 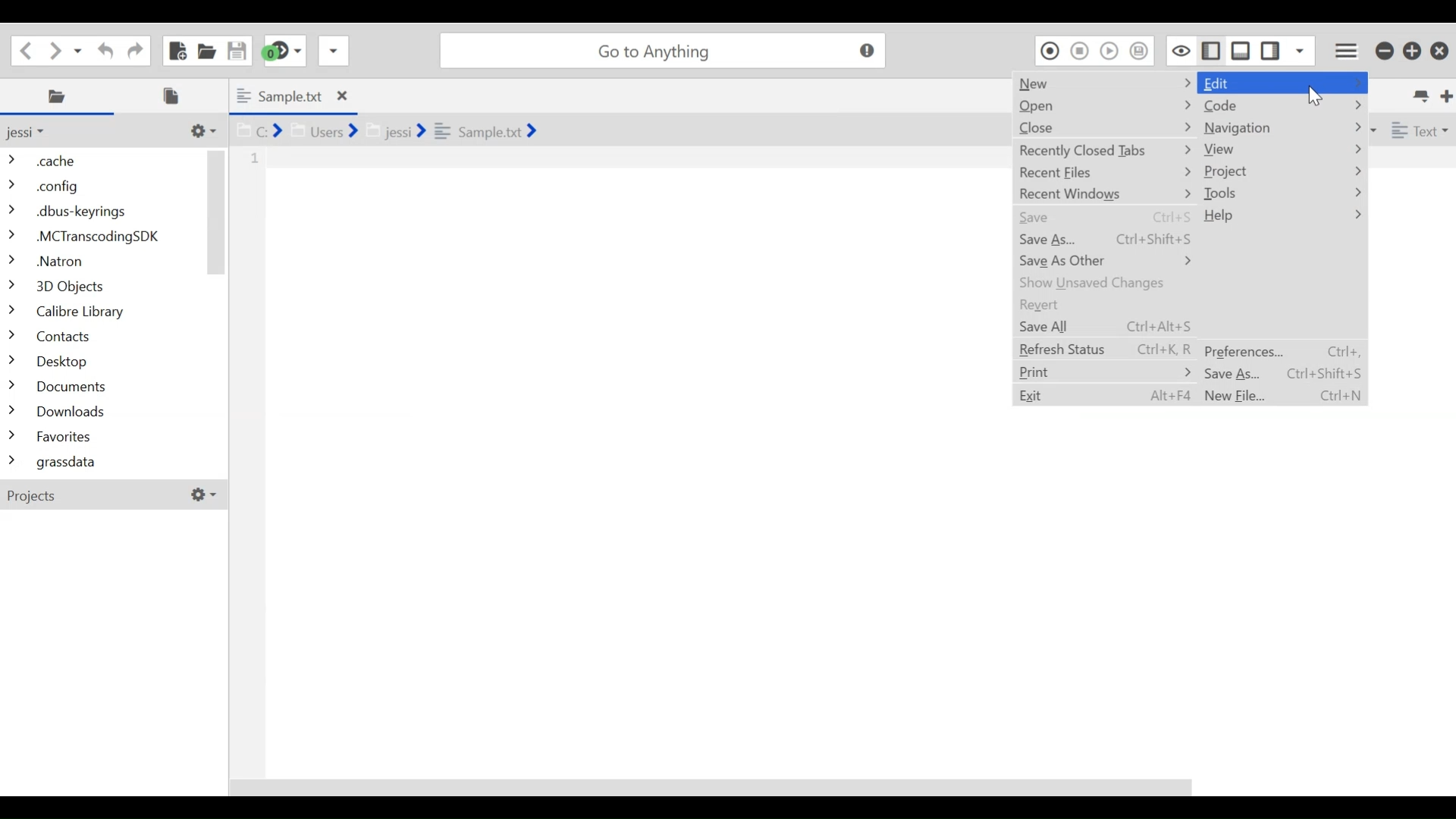 I want to click on Restore, so click(x=1413, y=51).